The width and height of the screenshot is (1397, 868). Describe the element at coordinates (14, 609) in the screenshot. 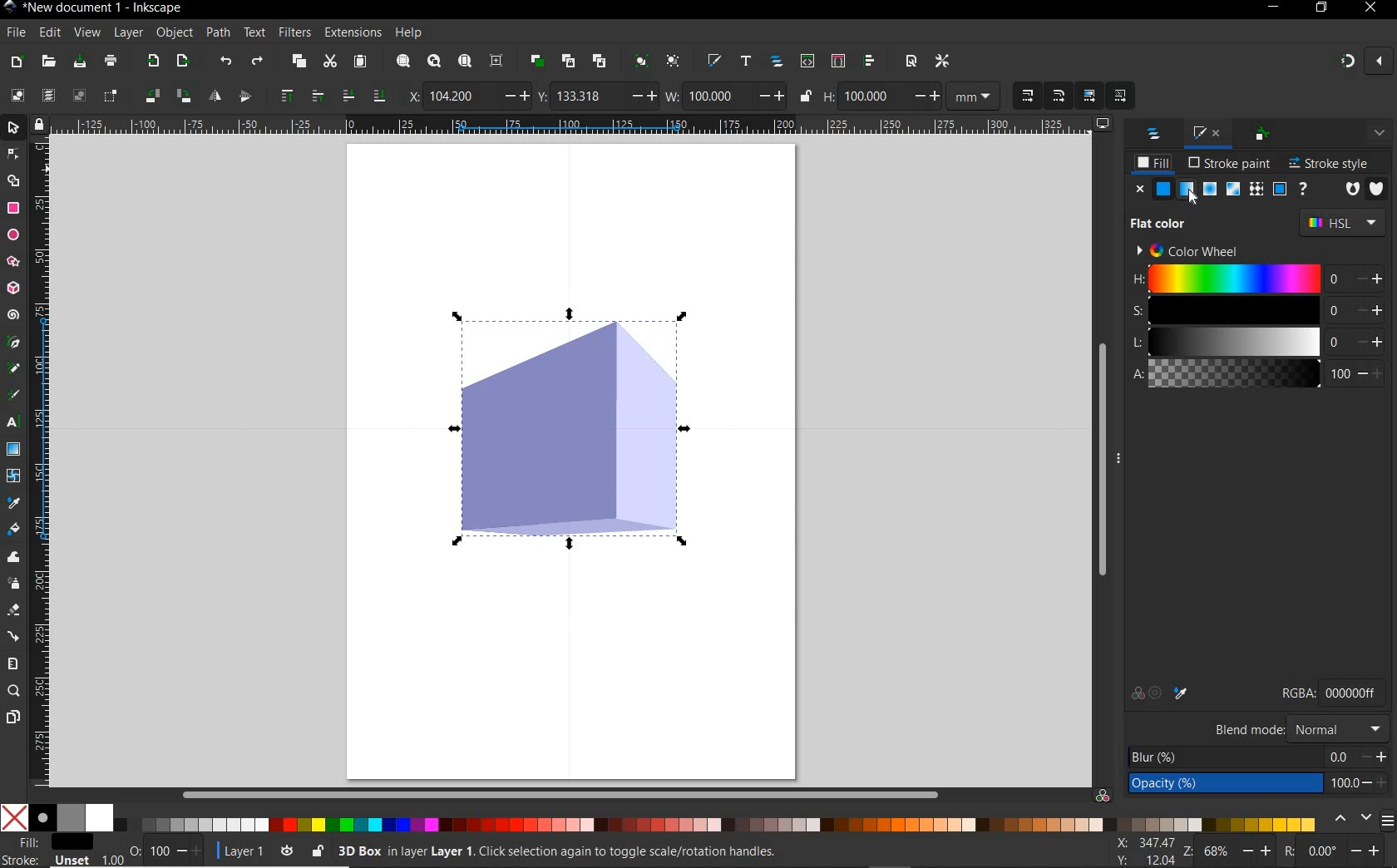

I see `ERASER TOOL` at that location.